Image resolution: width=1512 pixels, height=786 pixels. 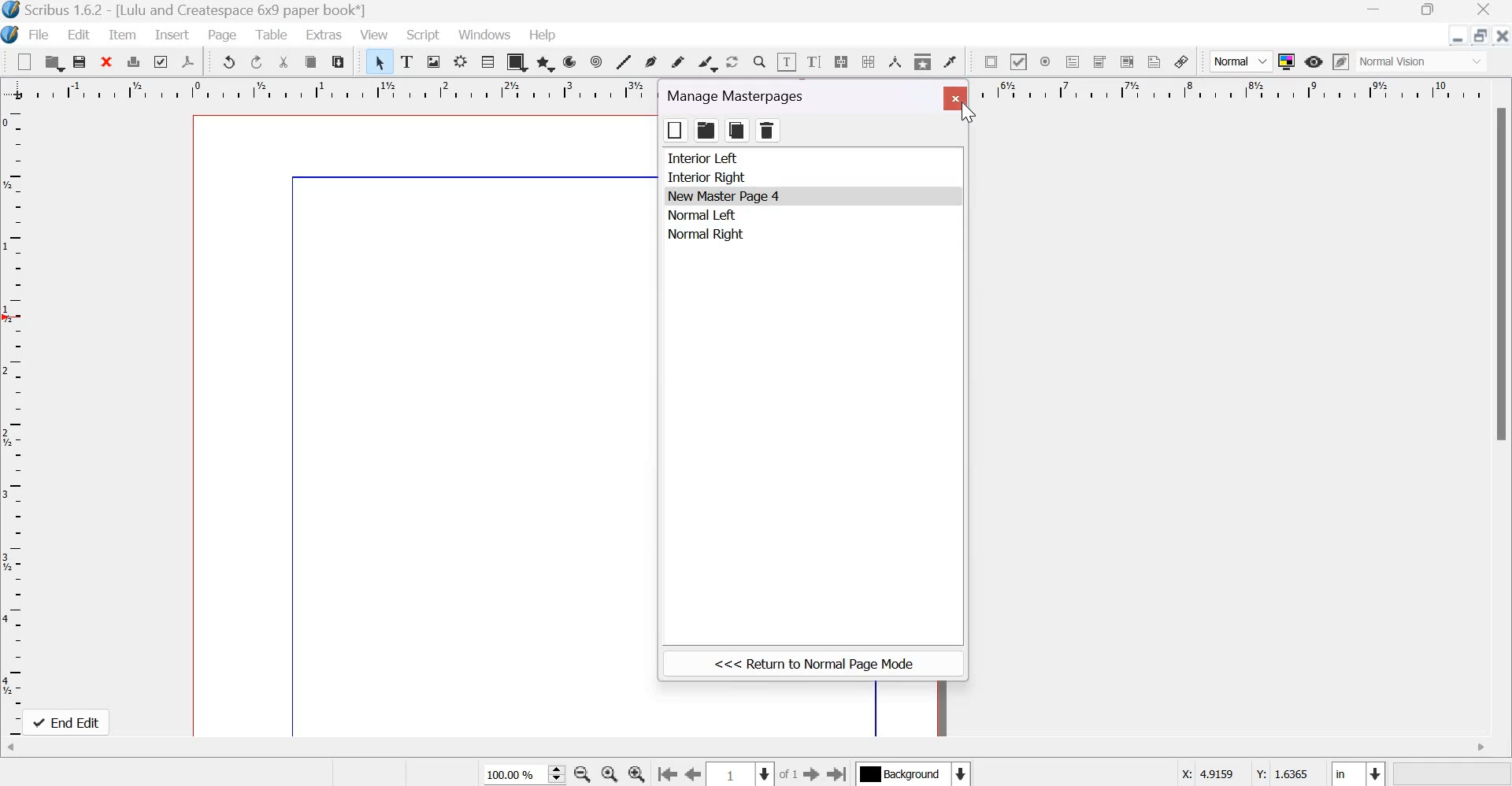 I want to click on paste, so click(x=338, y=62).